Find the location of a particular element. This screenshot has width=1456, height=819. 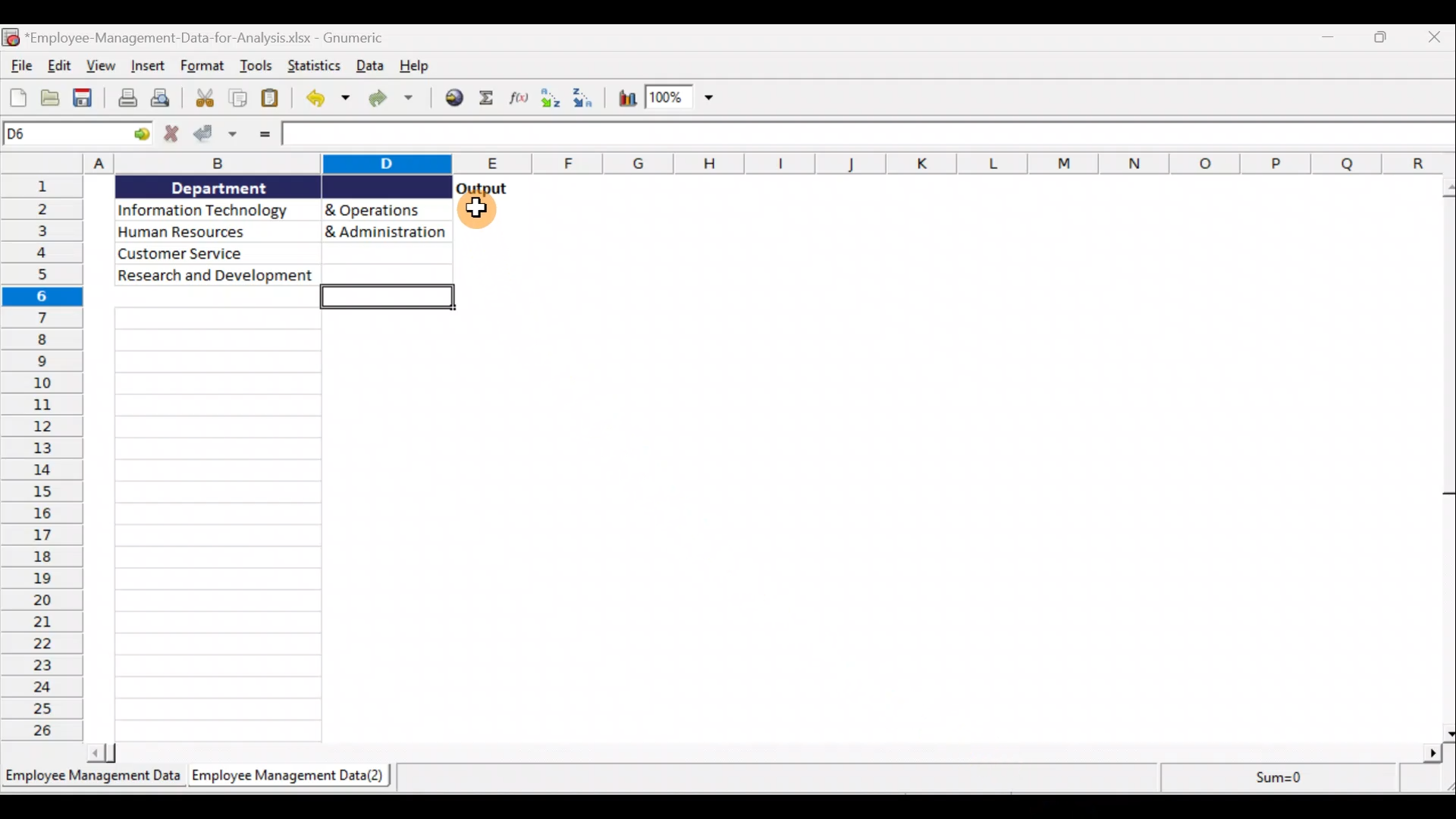

selected cell is located at coordinates (392, 303).